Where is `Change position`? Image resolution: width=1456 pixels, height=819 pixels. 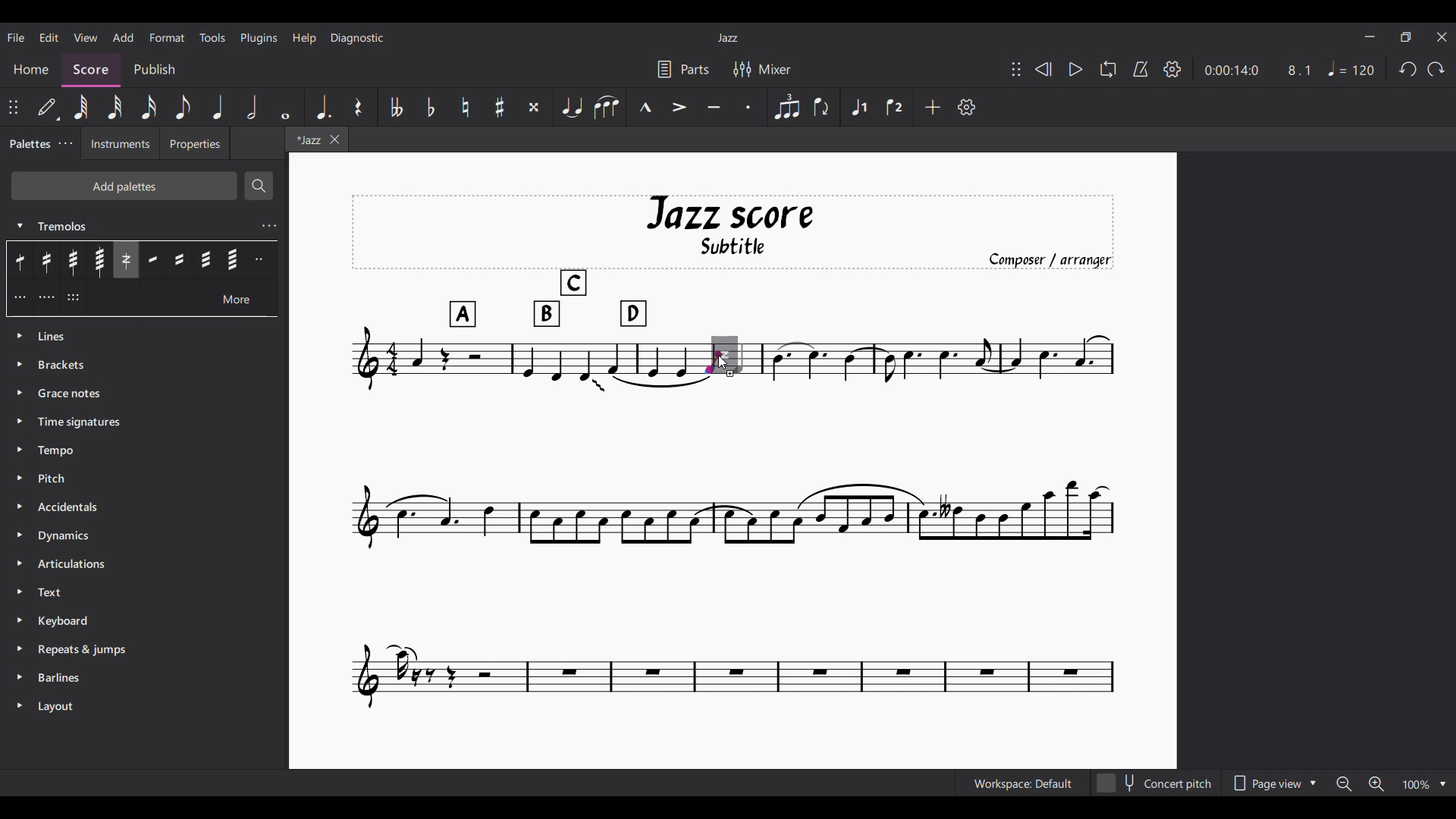
Change position is located at coordinates (1016, 69).